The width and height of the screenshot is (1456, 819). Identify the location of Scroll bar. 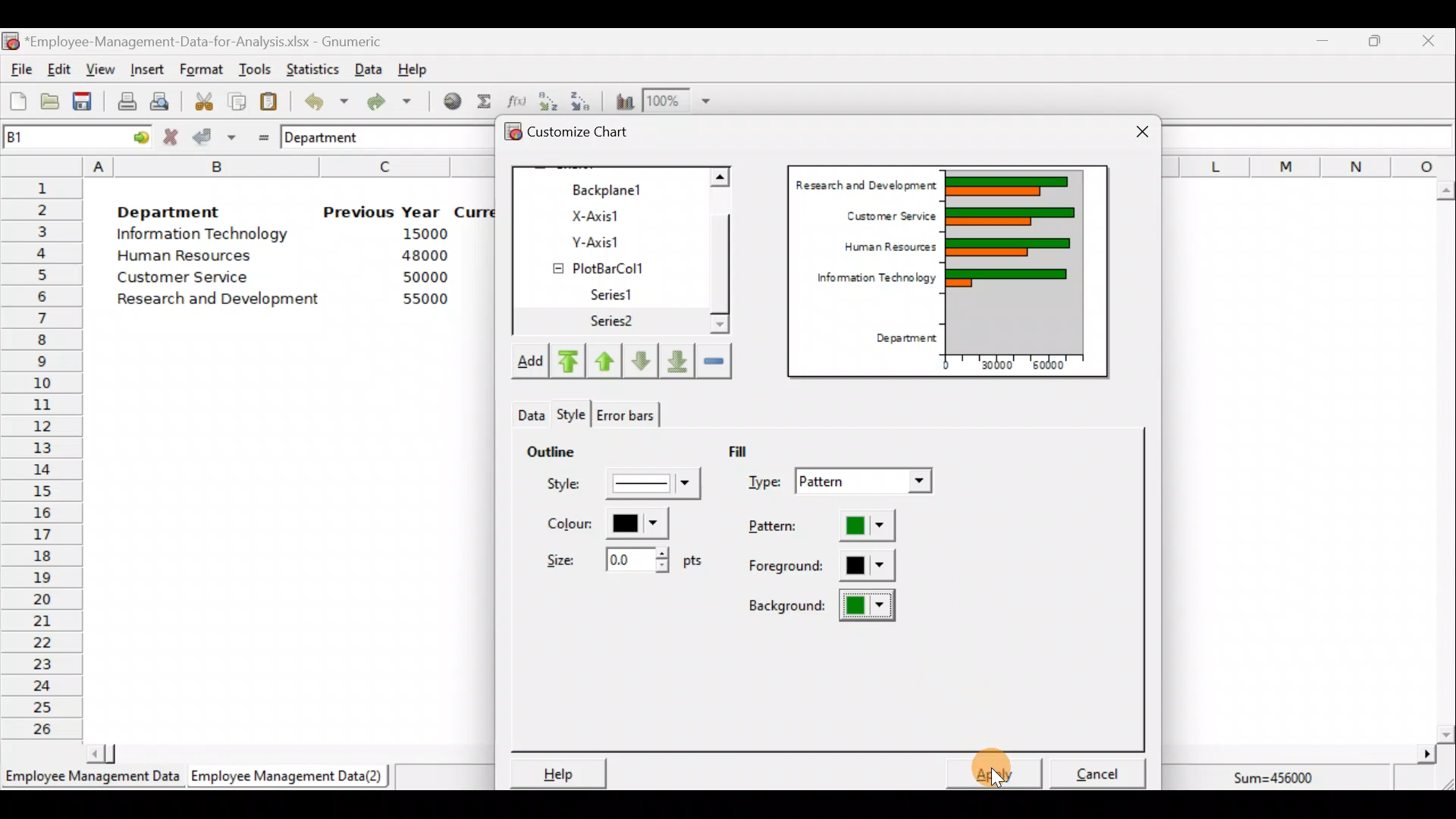
(728, 253).